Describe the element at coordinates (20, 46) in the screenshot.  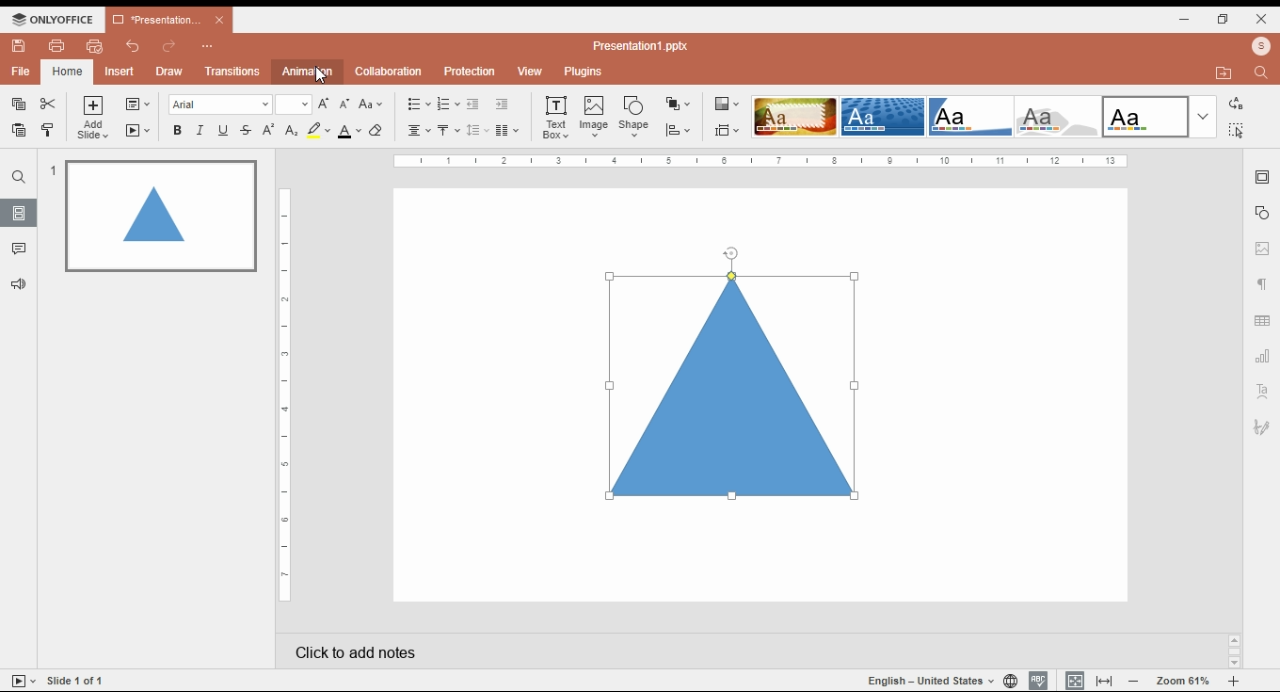
I see `save` at that location.